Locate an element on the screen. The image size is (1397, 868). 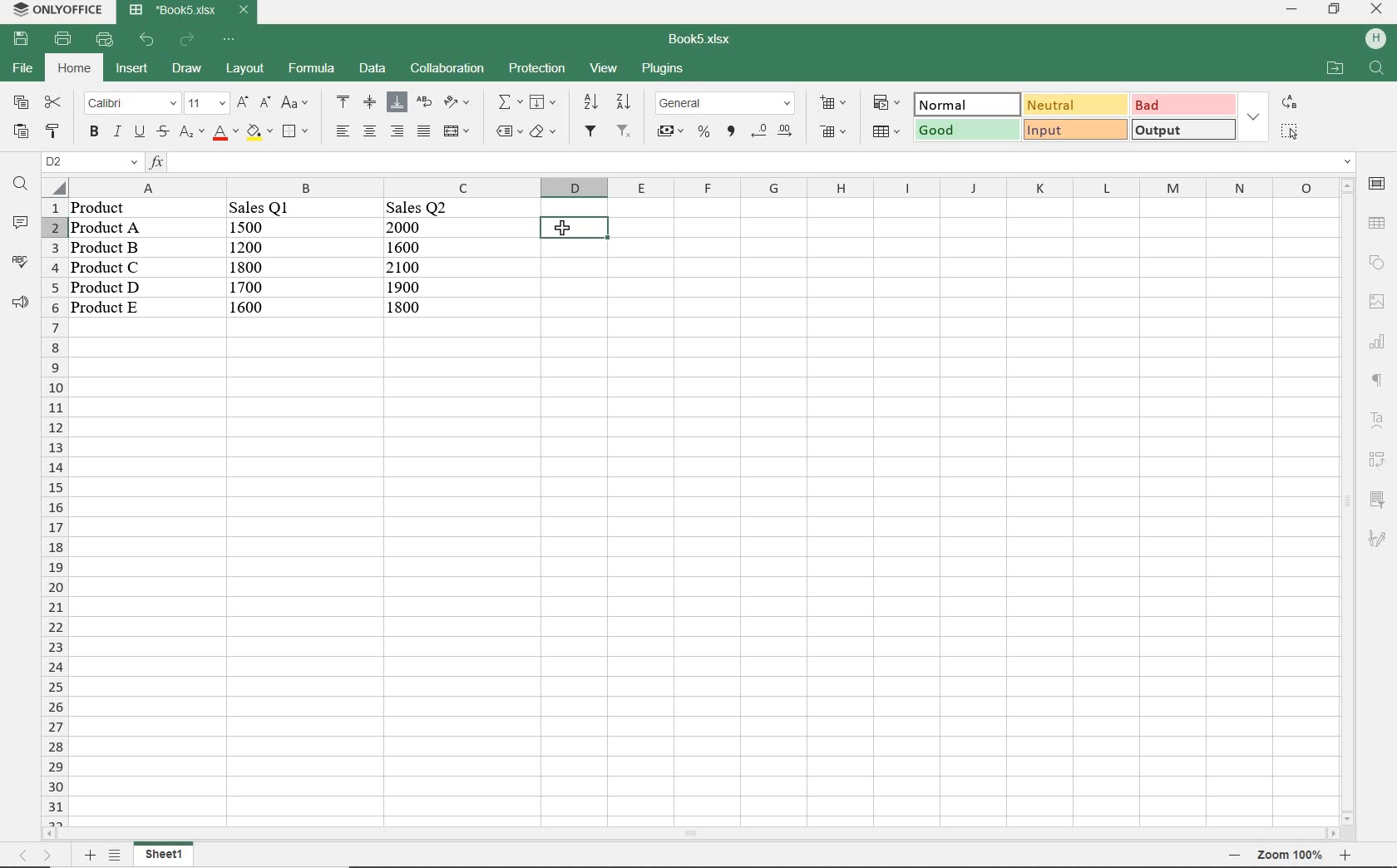
undo is located at coordinates (146, 40).